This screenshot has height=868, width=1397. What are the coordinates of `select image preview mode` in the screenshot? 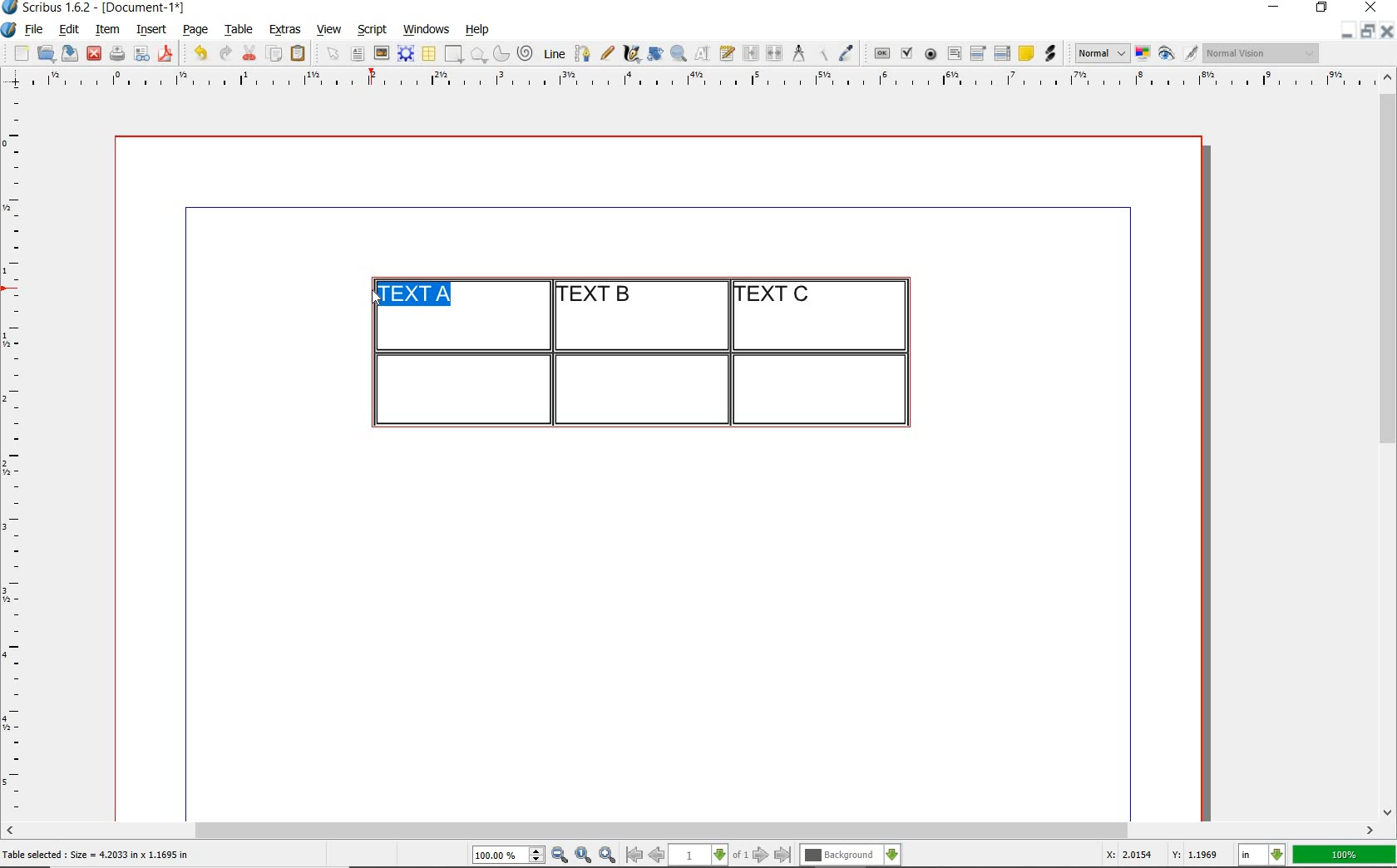 It's located at (1101, 54).